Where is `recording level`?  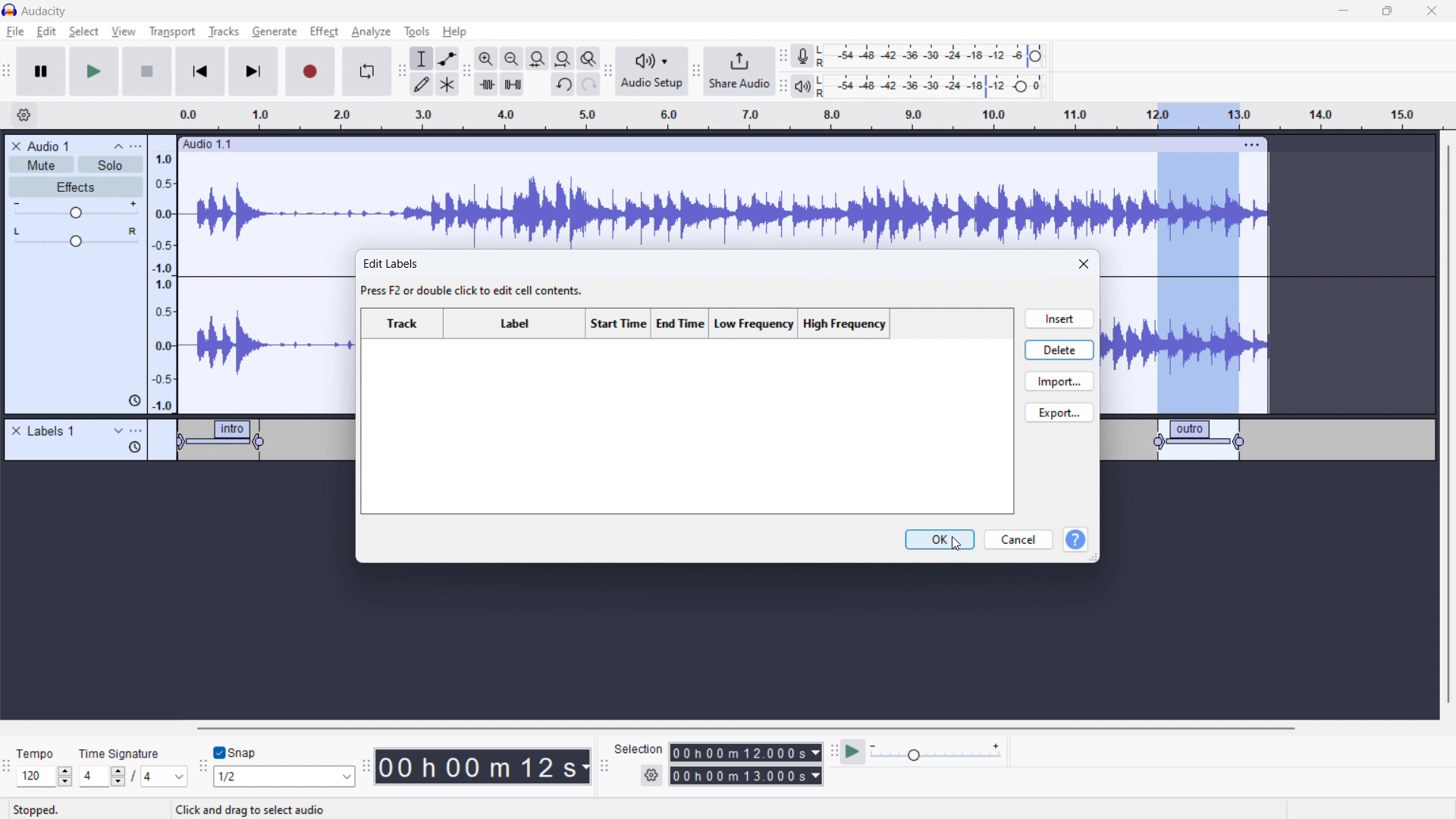
recording level is located at coordinates (940, 56).